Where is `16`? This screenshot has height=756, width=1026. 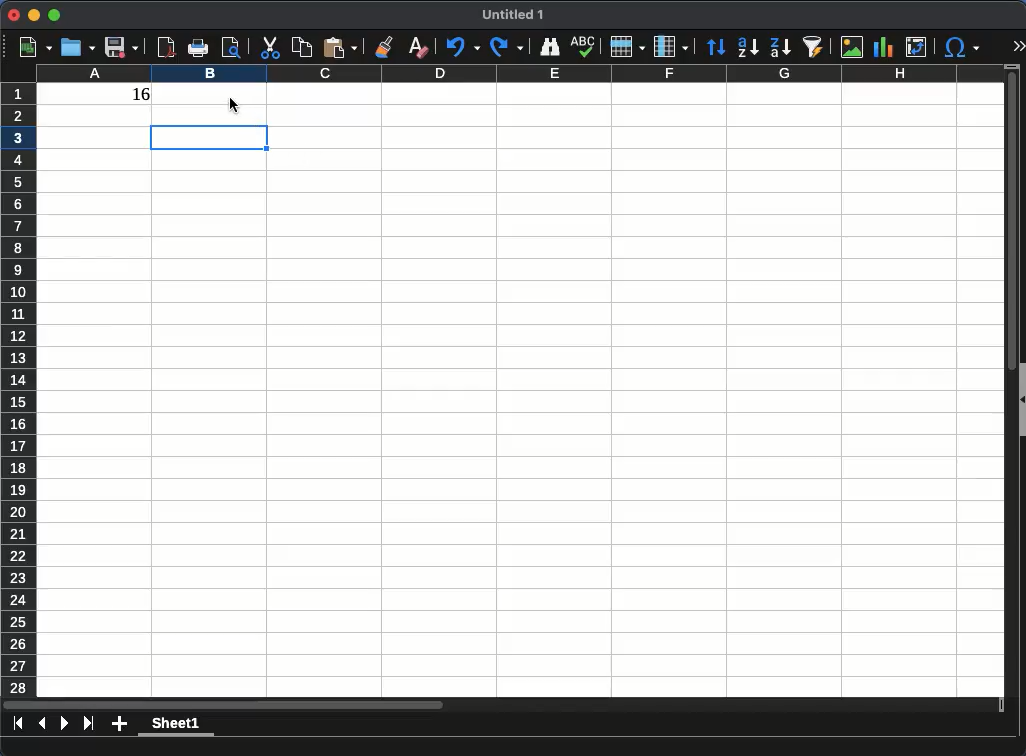
16 is located at coordinates (133, 97).